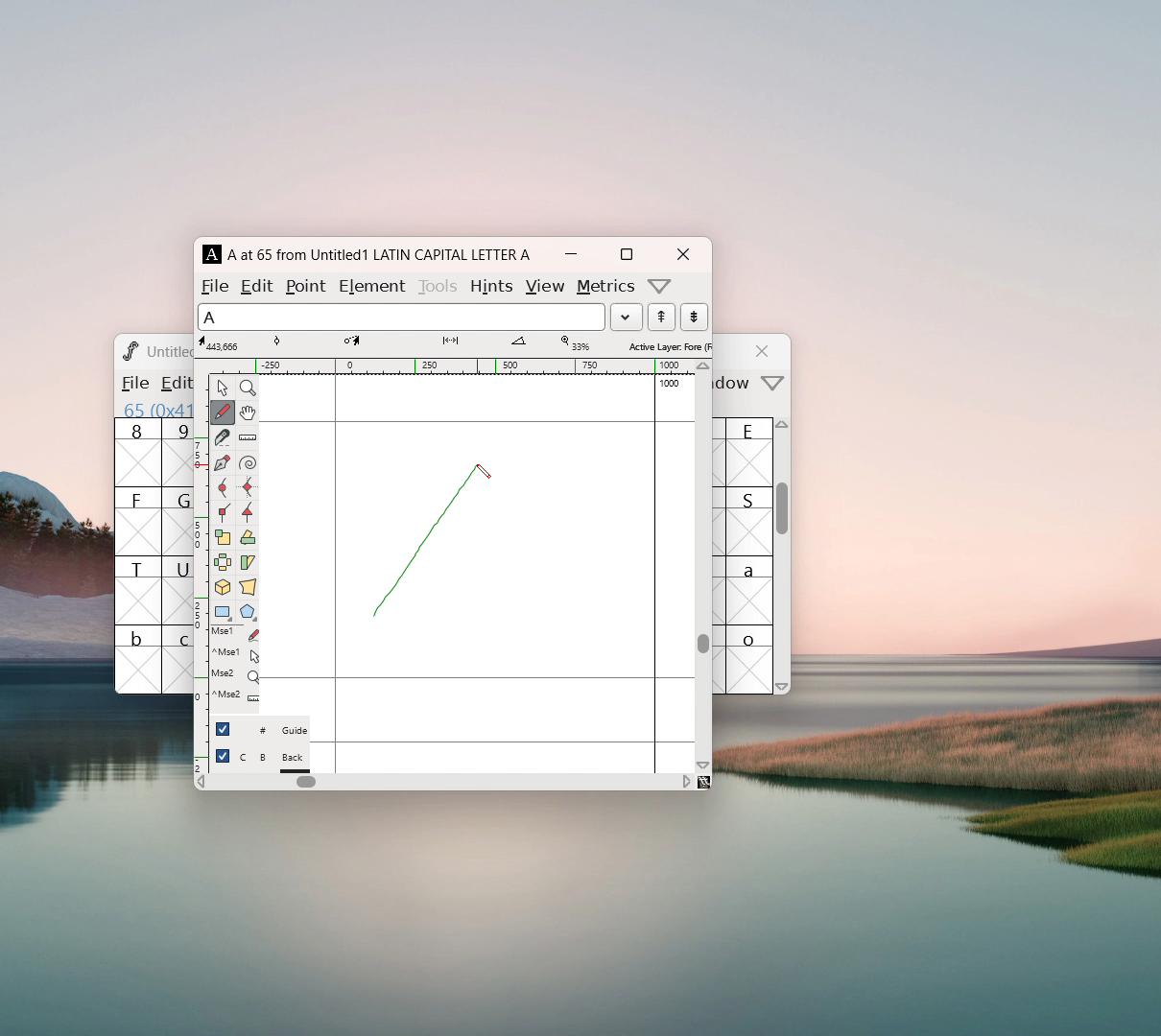 The image size is (1161, 1036). What do you see at coordinates (177, 521) in the screenshot?
I see `G` at bounding box center [177, 521].